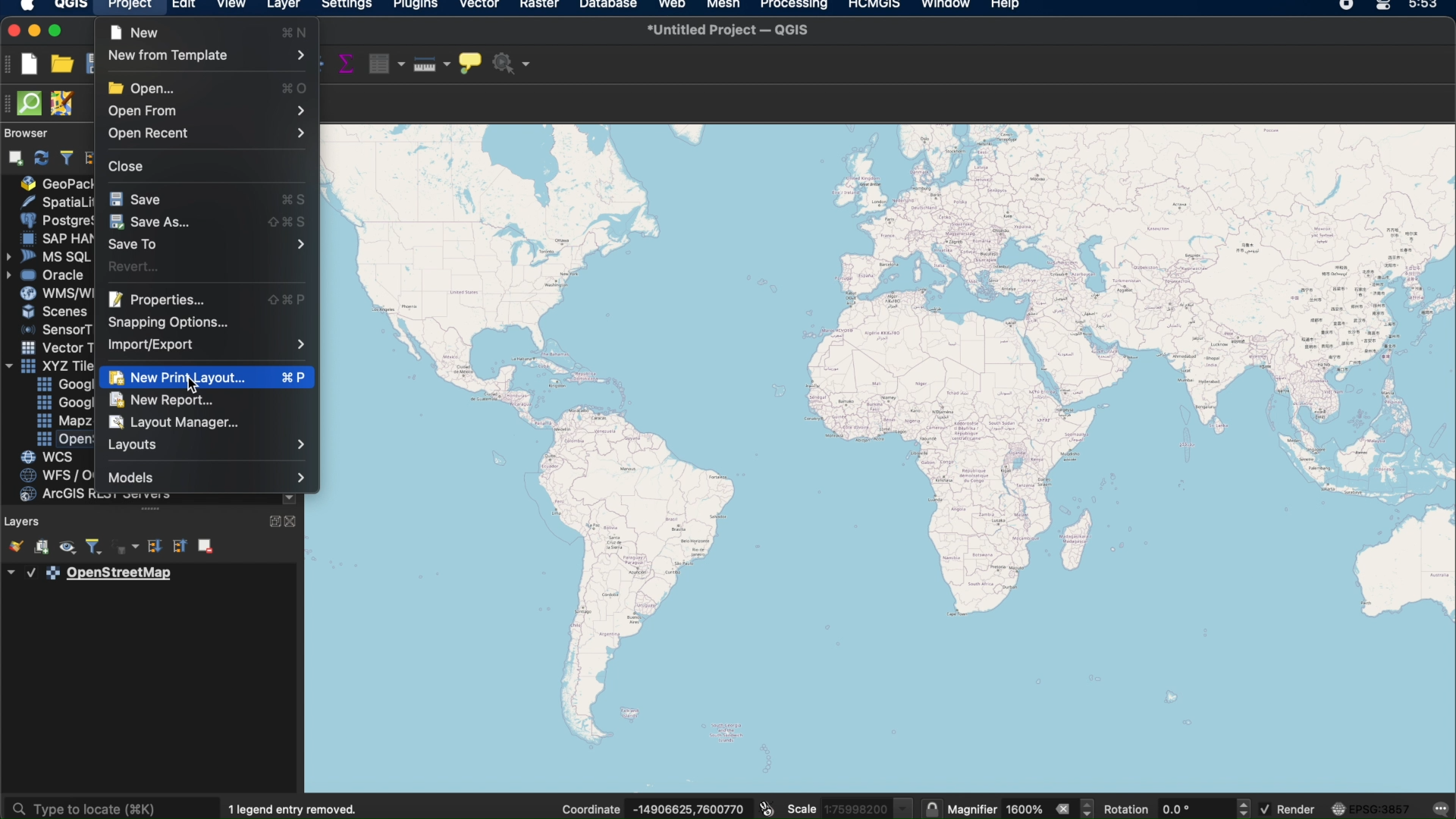  I want to click on show statistical summary, so click(345, 61).